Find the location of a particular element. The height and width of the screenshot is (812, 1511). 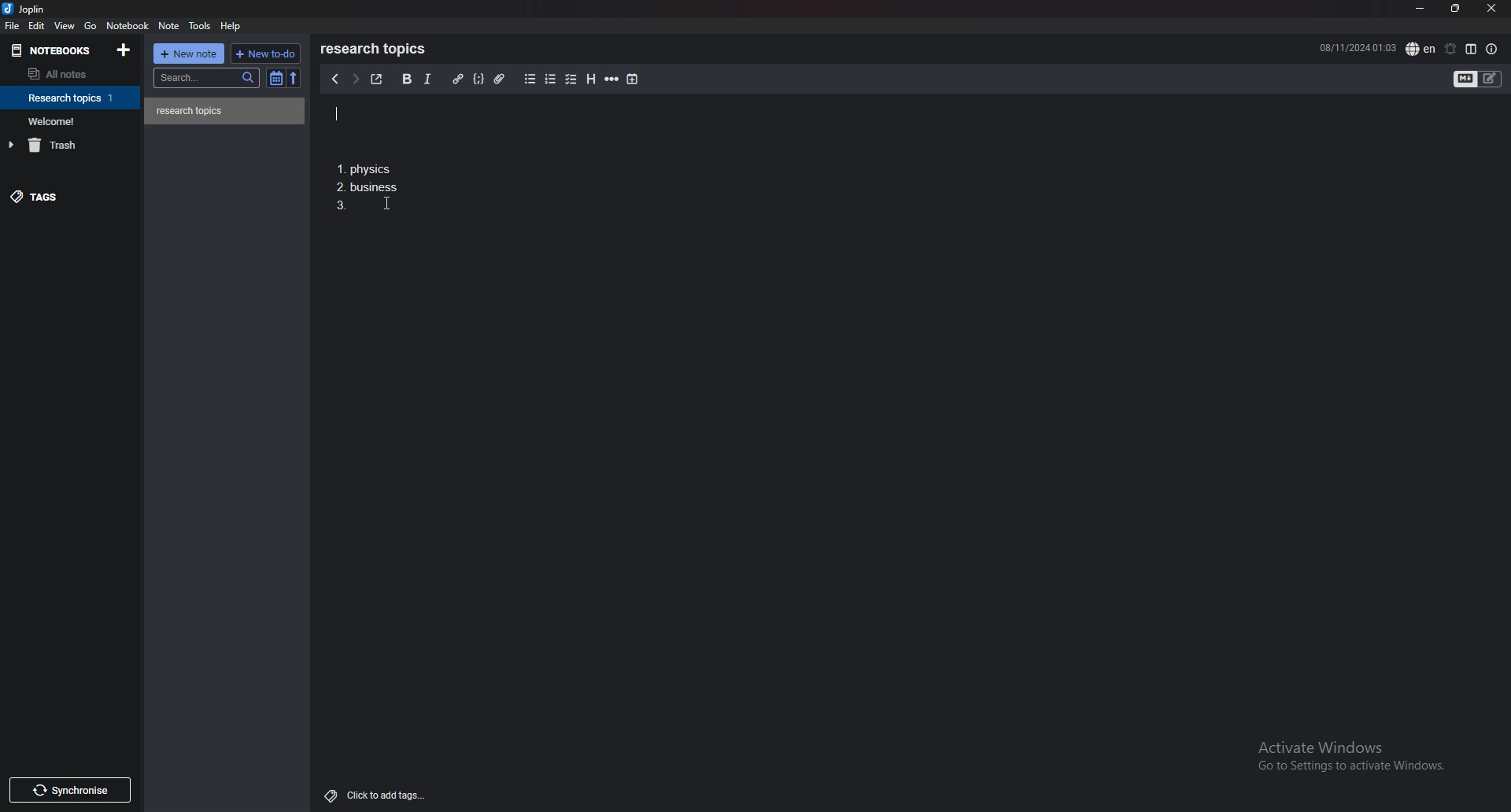

research topics is located at coordinates (376, 49).